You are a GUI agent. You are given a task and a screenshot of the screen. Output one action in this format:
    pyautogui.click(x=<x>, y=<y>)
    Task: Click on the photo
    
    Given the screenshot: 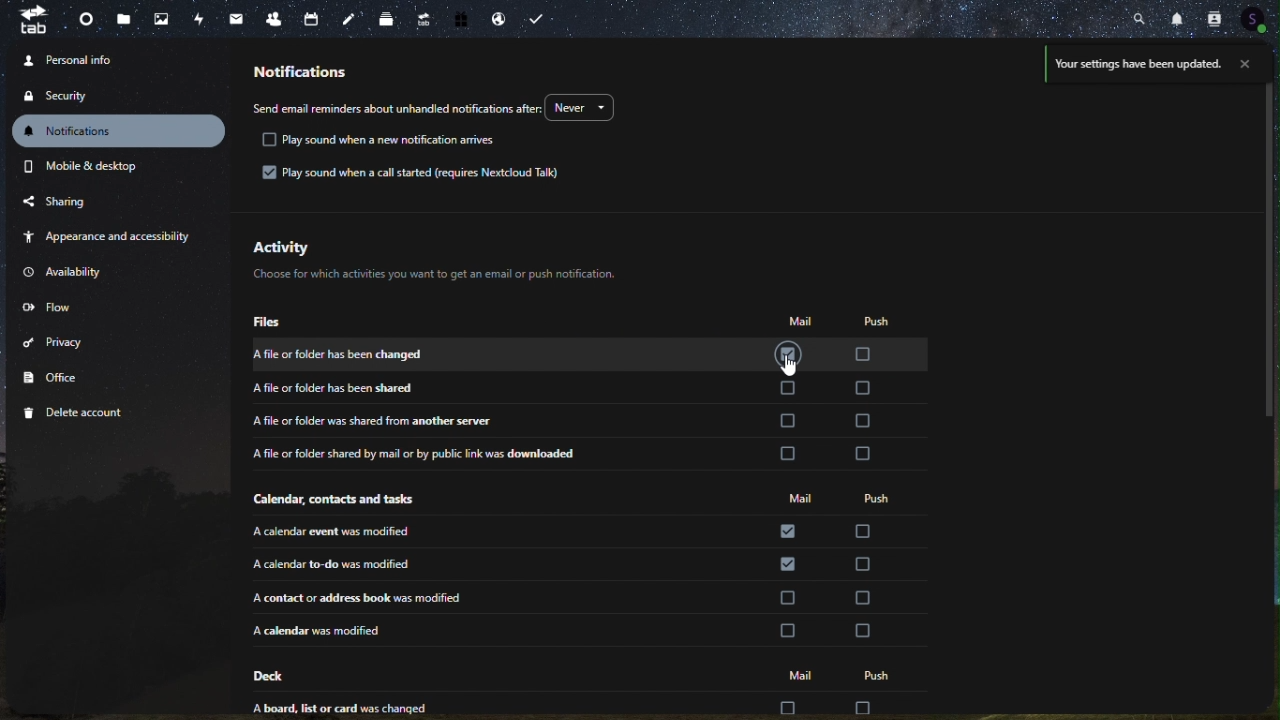 What is the action you would take?
    pyautogui.click(x=161, y=18)
    